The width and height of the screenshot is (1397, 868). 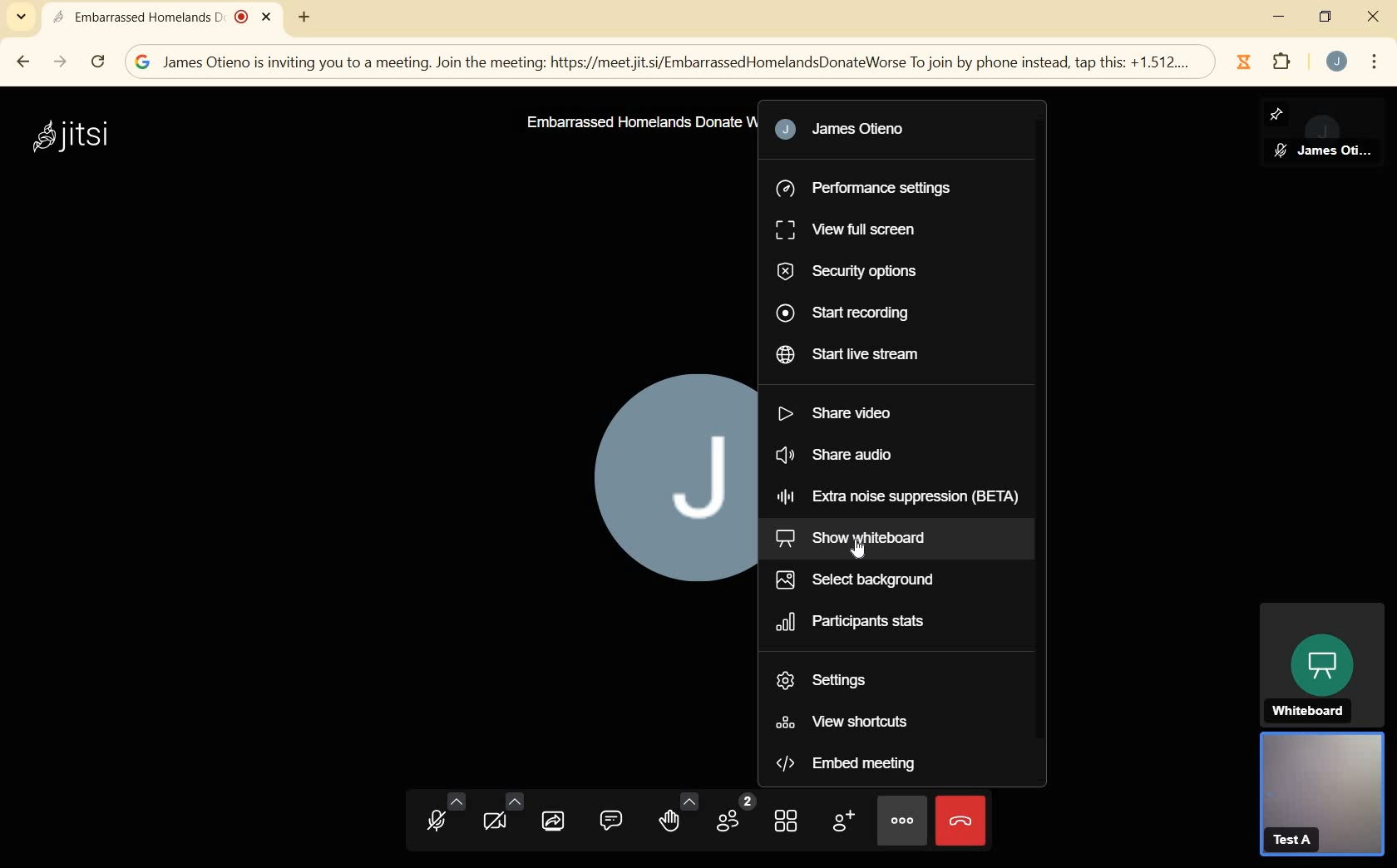 I want to click on camera, so click(x=501, y=814).